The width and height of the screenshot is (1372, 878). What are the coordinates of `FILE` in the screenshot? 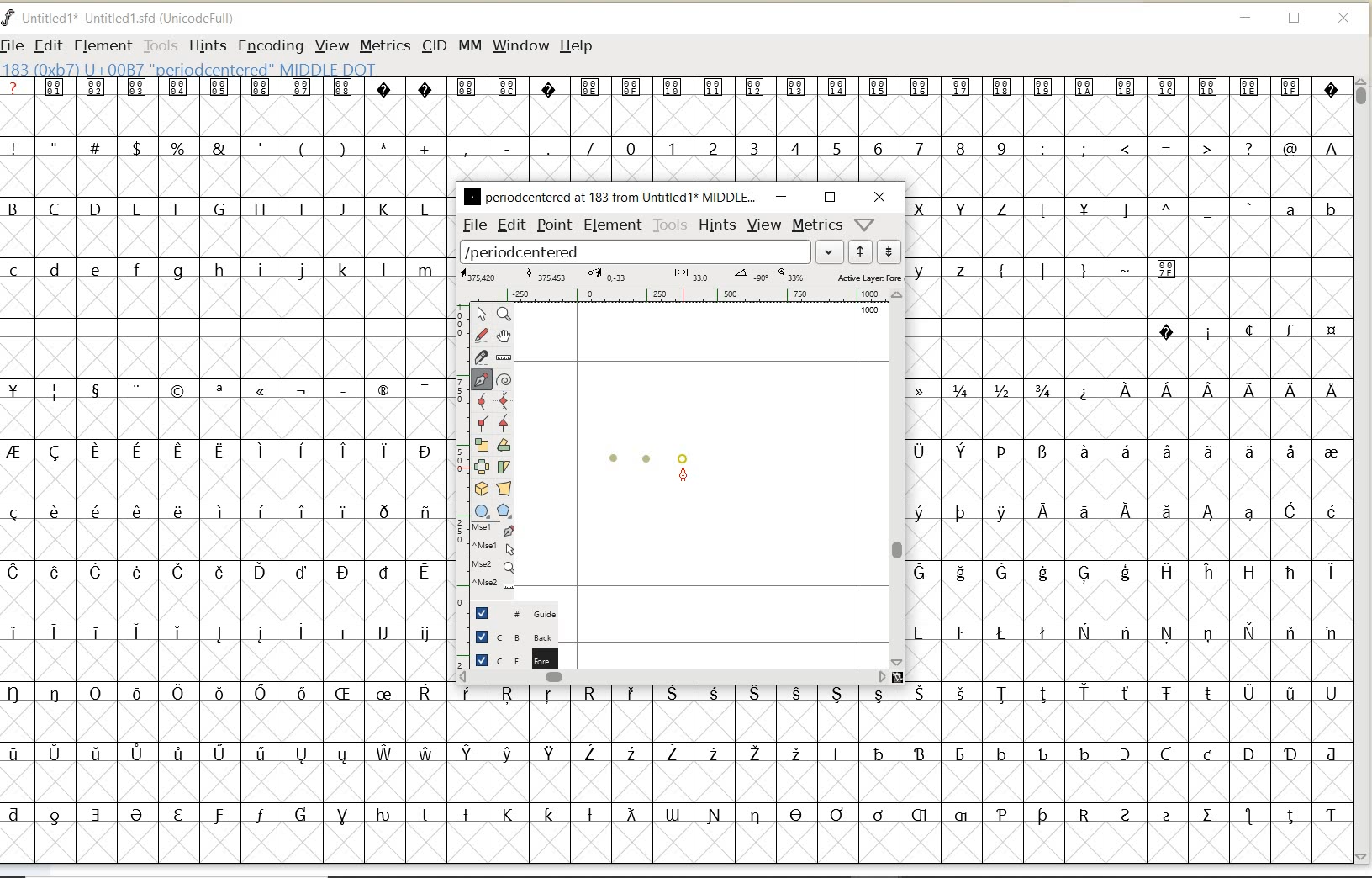 It's located at (14, 45).